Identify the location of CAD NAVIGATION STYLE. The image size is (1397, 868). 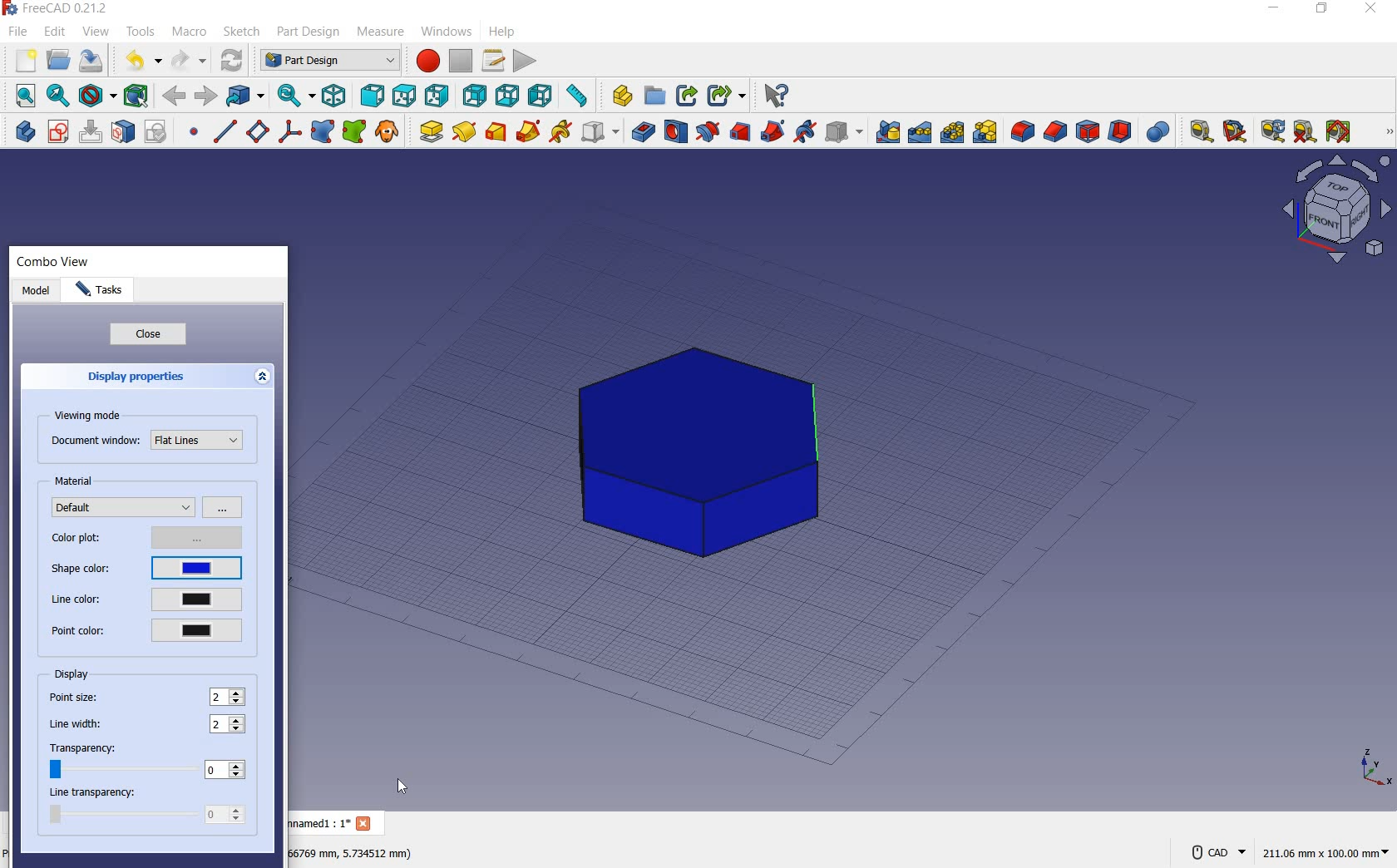
(1214, 852).